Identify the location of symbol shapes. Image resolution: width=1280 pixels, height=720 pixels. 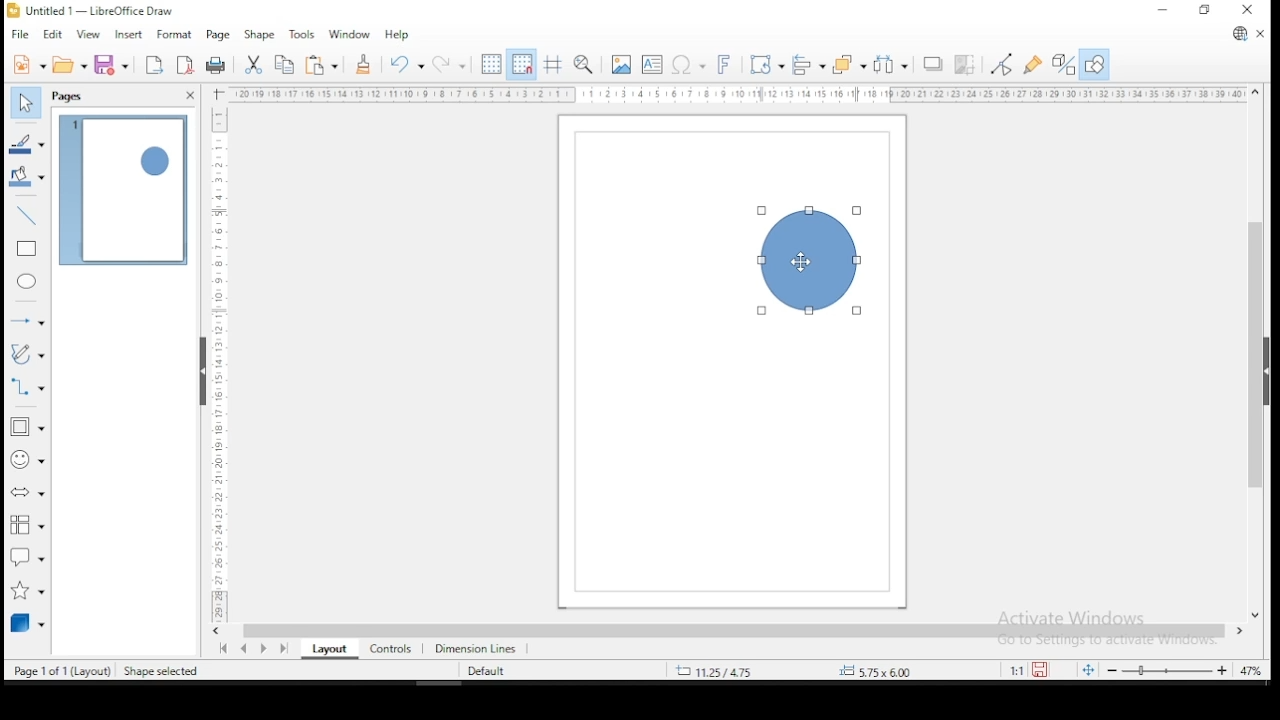
(27, 459).